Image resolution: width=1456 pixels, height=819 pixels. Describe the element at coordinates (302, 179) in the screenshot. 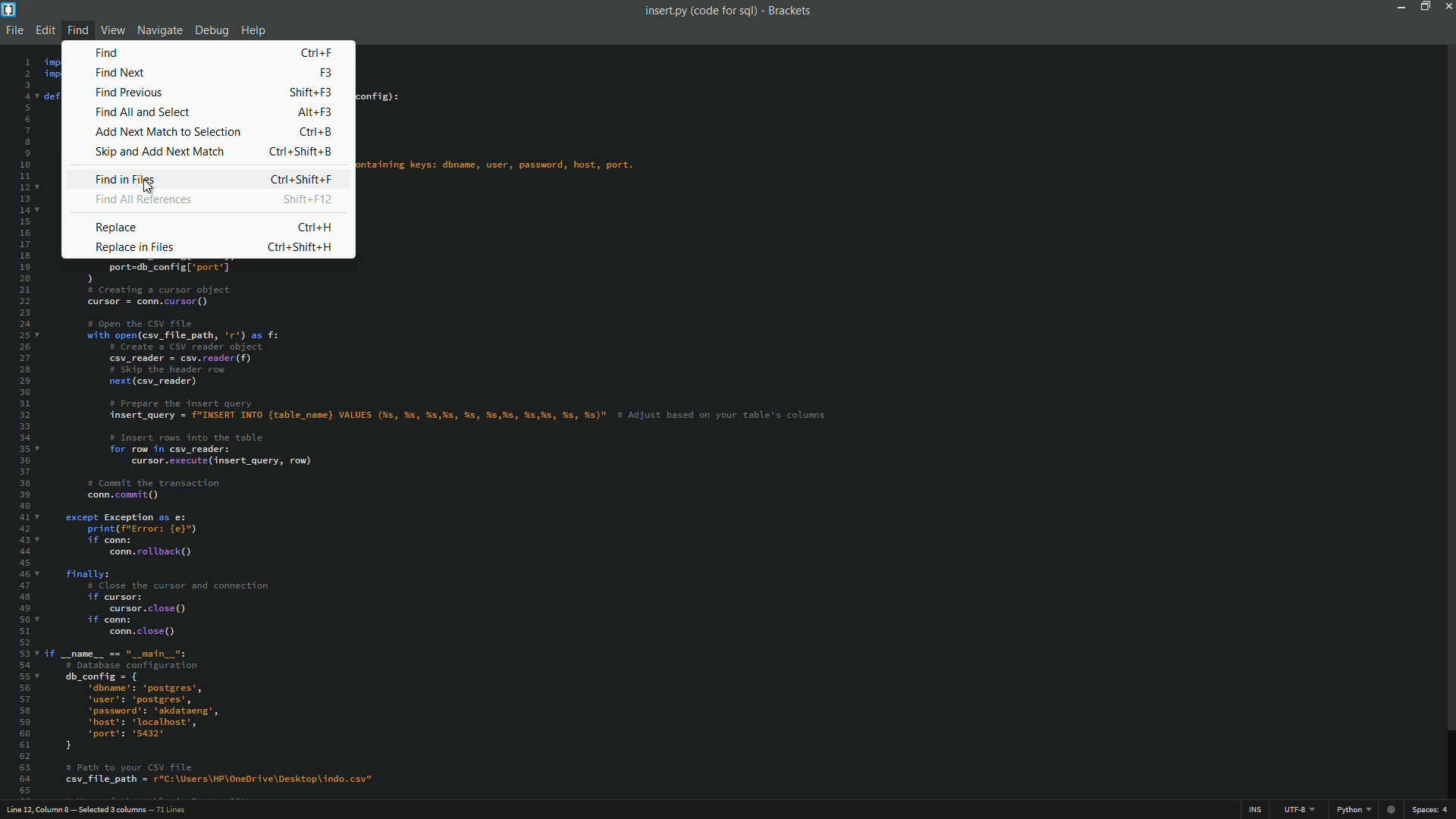

I see `keyboard shortcut` at that location.